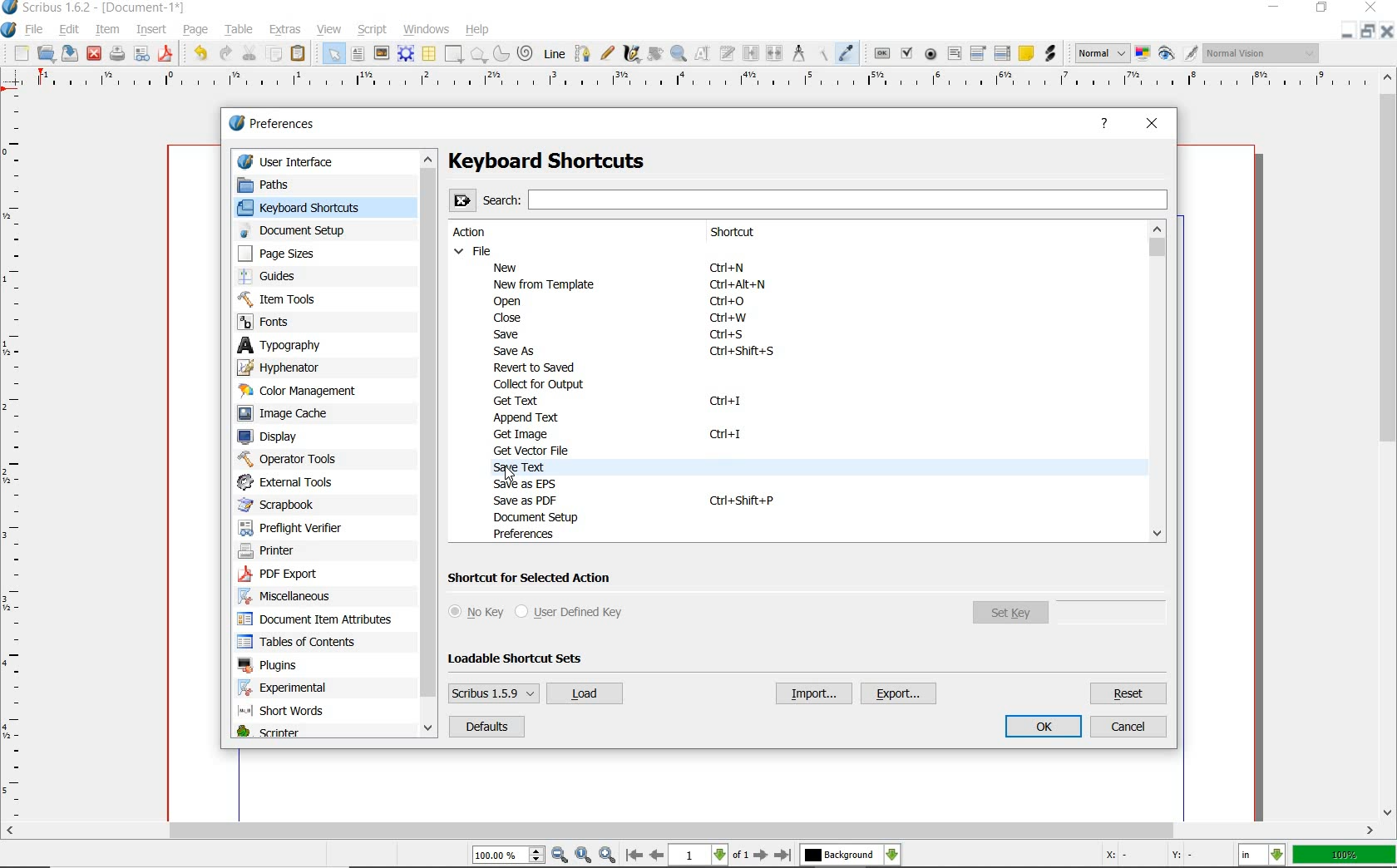  Describe the element at coordinates (1261, 856) in the screenshot. I see `select the current unit` at that location.